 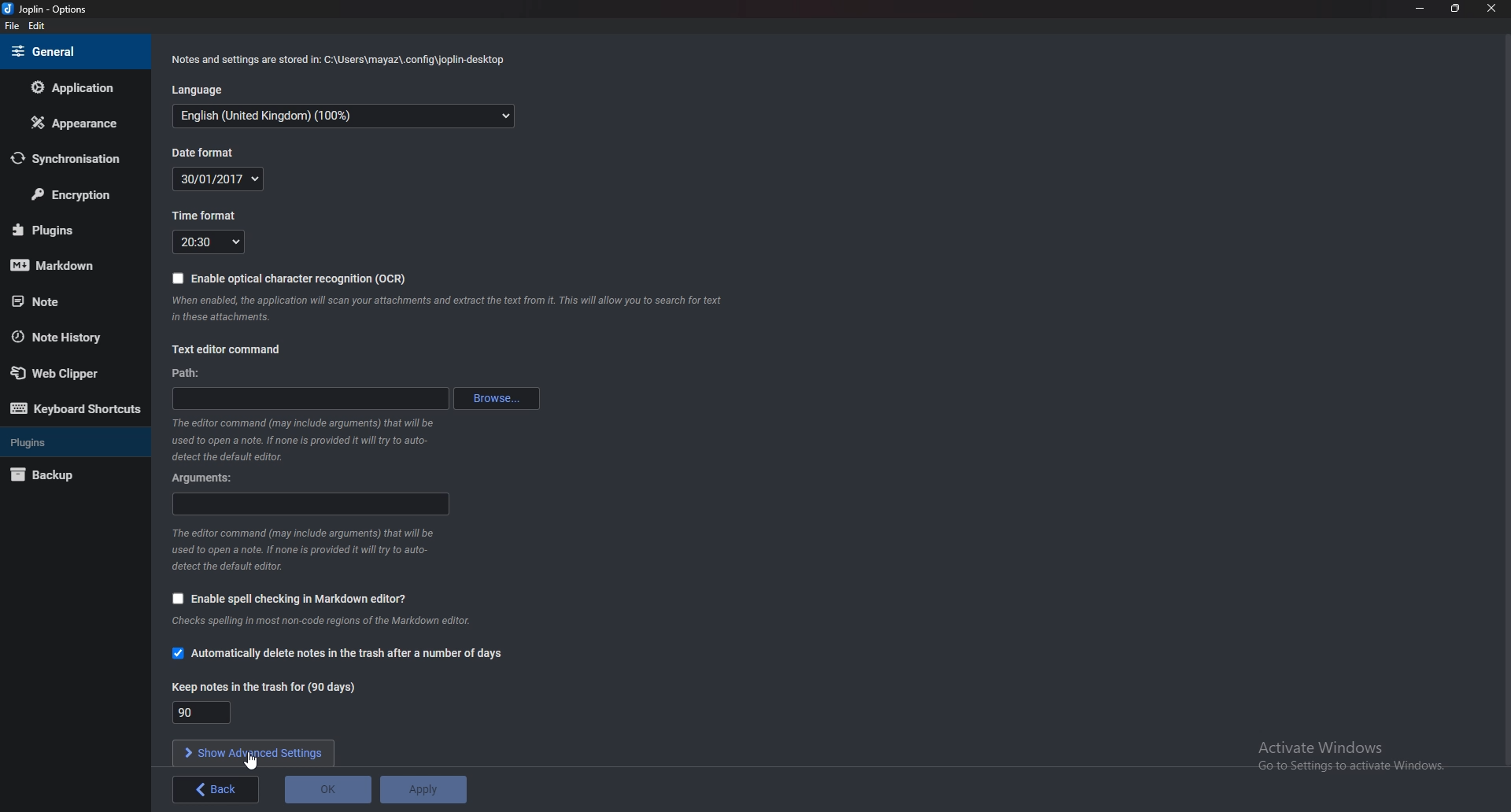 What do you see at coordinates (219, 179) in the screenshot?
I see `Date format` at bounding box center [219, 179].